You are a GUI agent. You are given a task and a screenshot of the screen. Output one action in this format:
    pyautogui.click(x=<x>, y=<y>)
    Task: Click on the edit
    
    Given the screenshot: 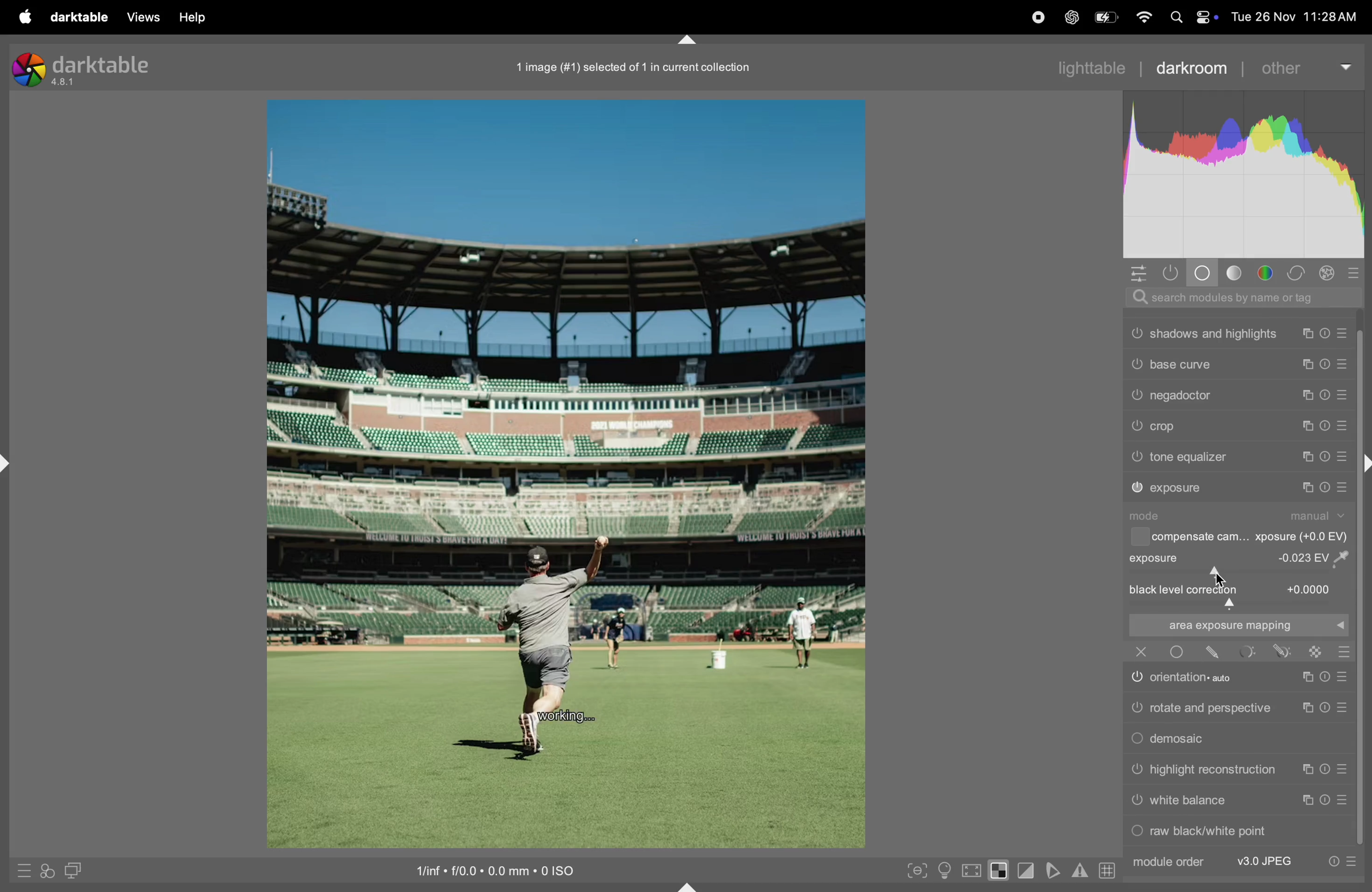 What is the action you would take?
    pyautogui.click(x=1213, y=652)
    